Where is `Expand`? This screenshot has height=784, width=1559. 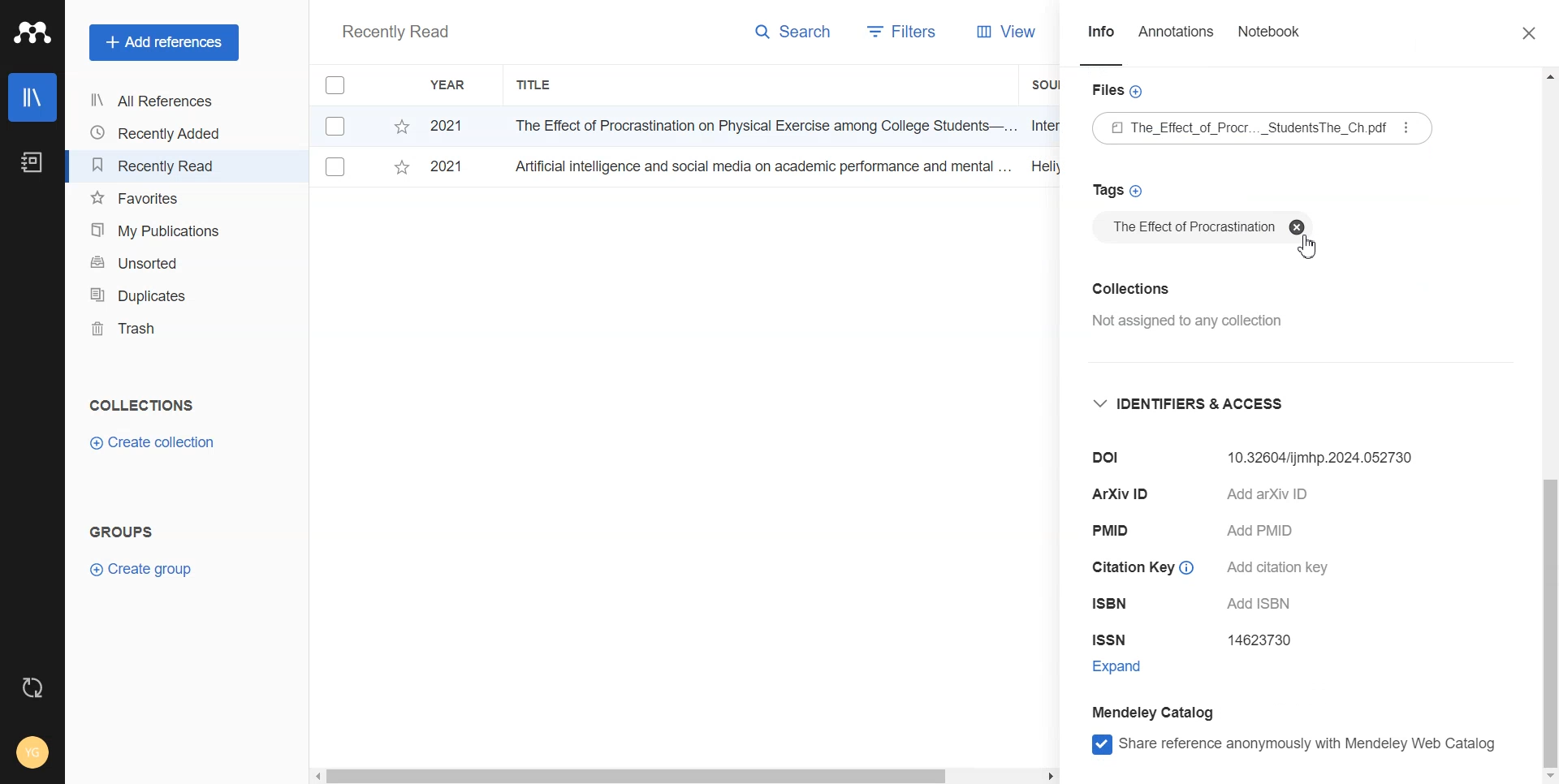 Expand is located at coordinates (1136, 668).